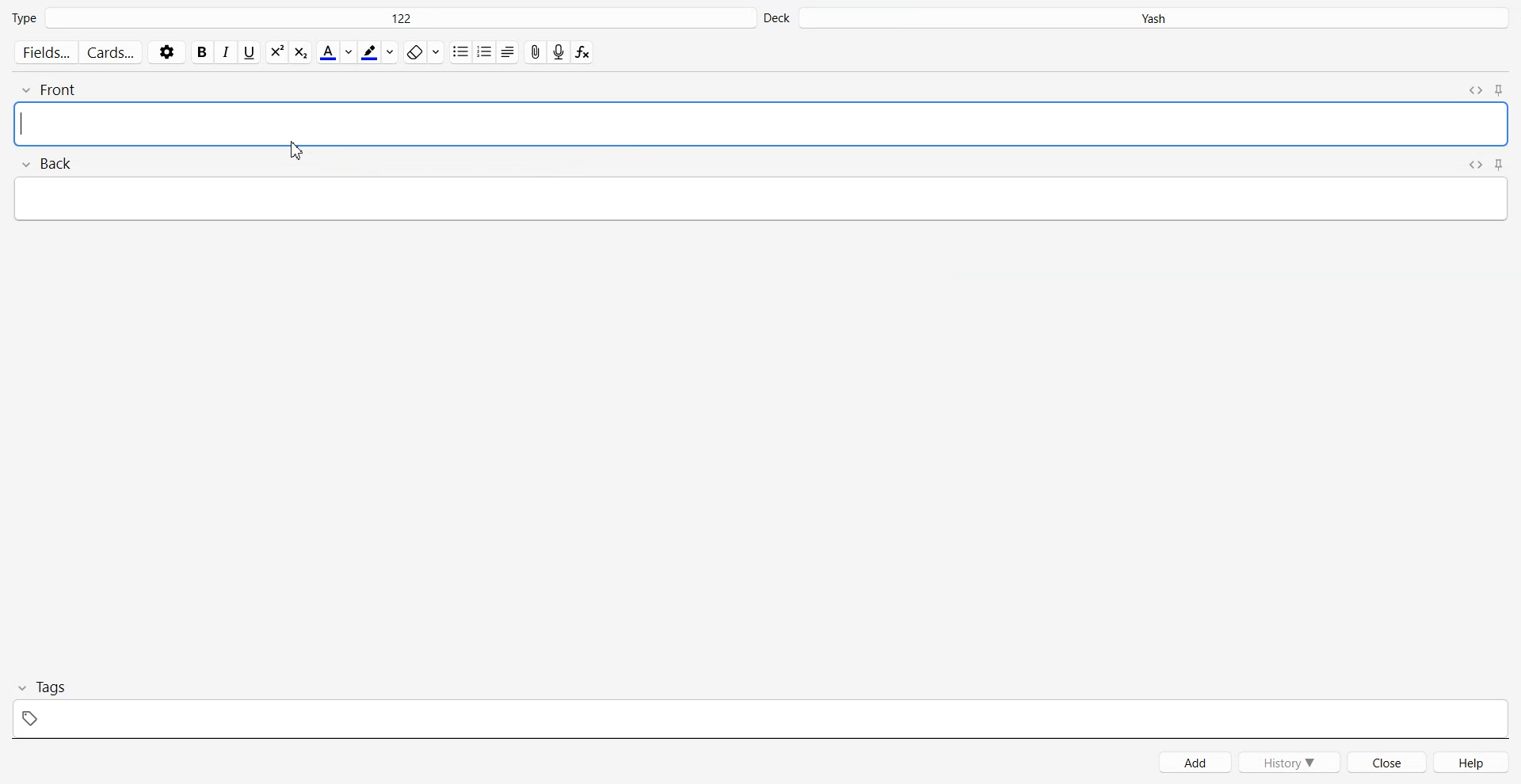 This screenshot has width=1521, height=784. Describe the element at coordinates (112, 52) in the screenshot. I see `Cards` at that location.